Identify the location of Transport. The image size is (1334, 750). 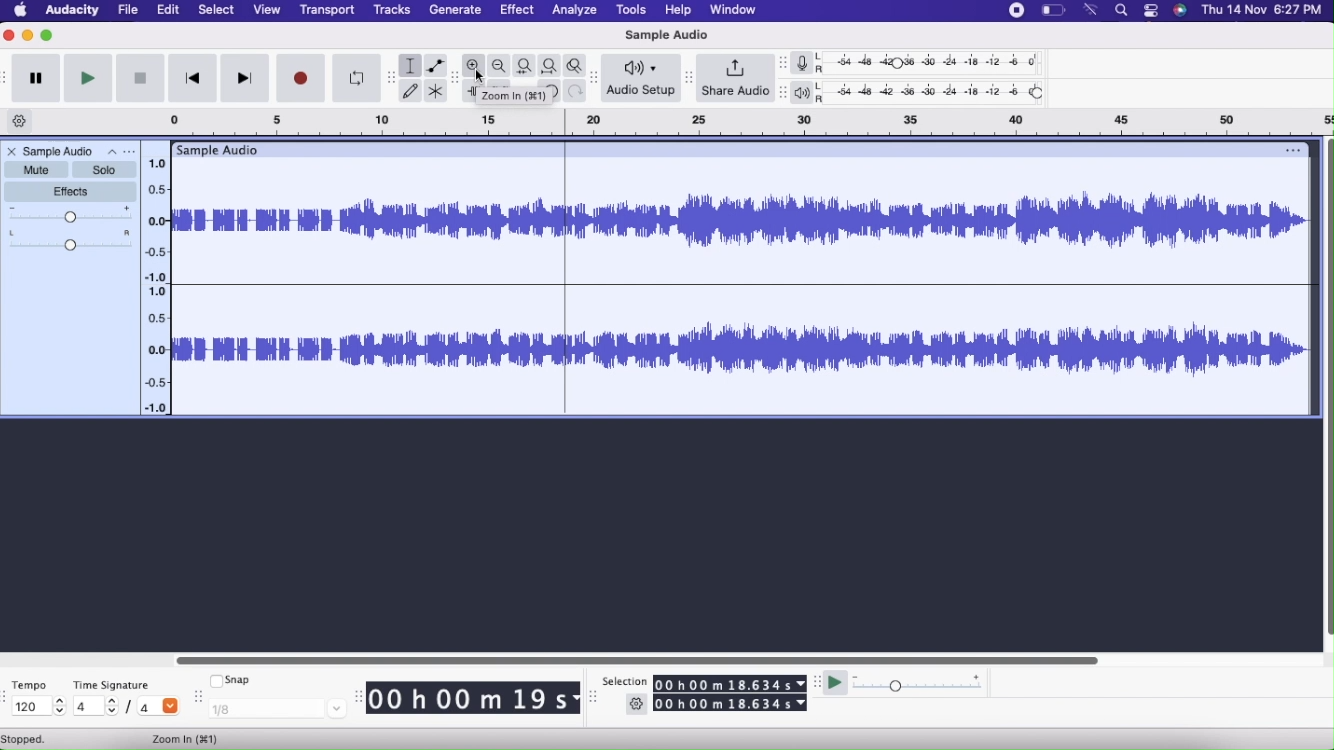
(328, 10).